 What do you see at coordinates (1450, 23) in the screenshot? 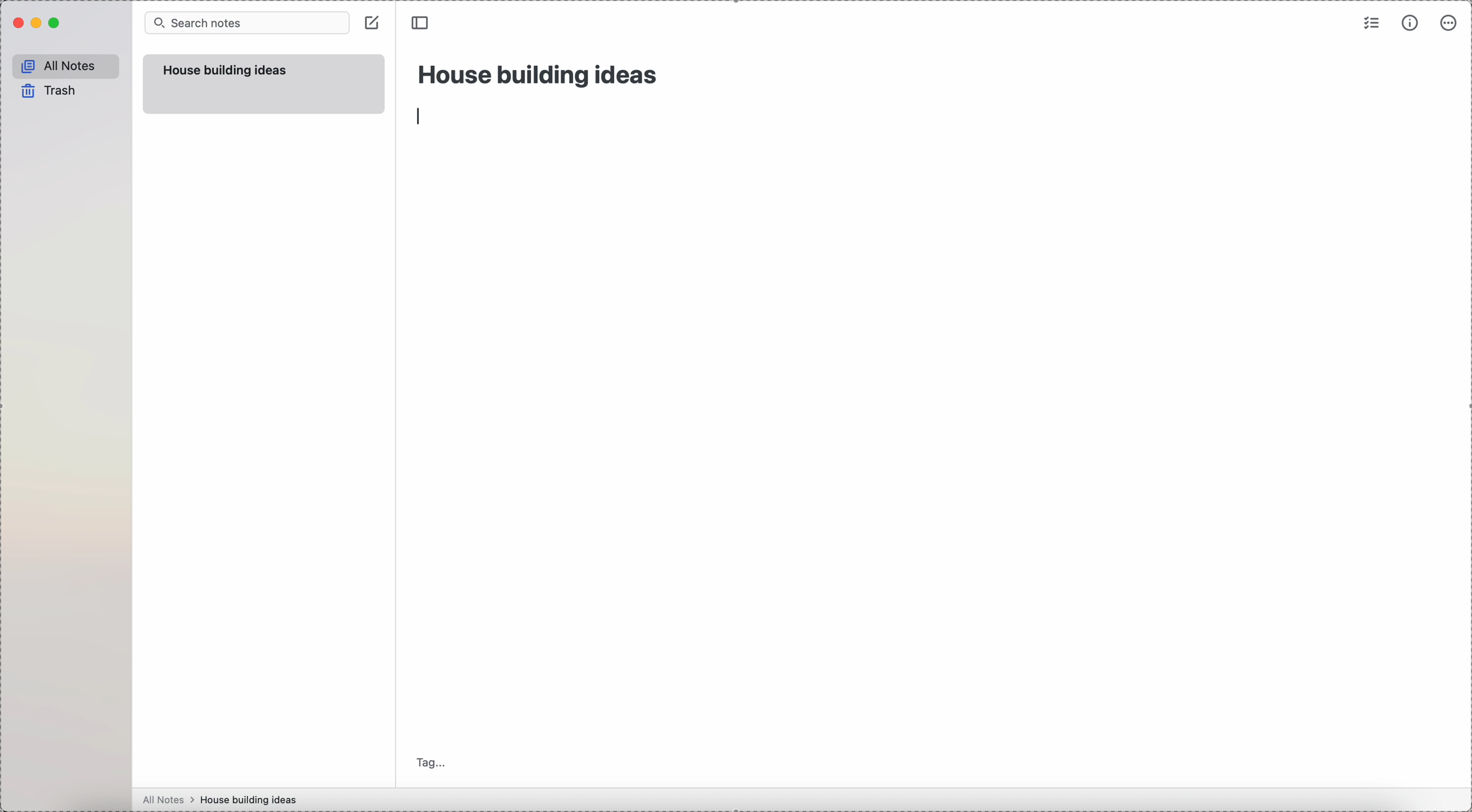
I see `more options` at bounding box center [1450, 23].